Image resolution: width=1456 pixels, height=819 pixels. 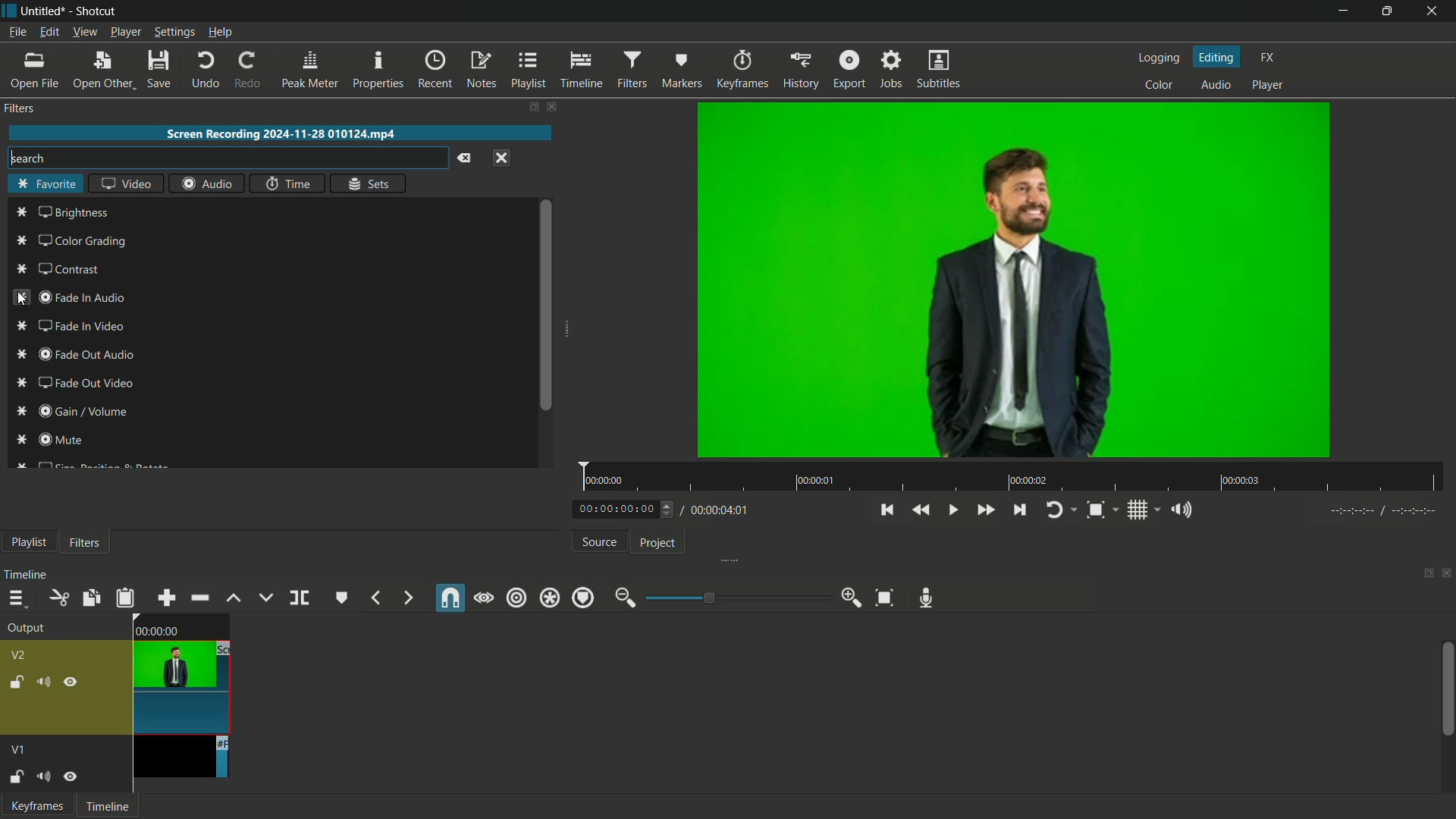 I want to click on edit menu, so click(x=49, y=32).